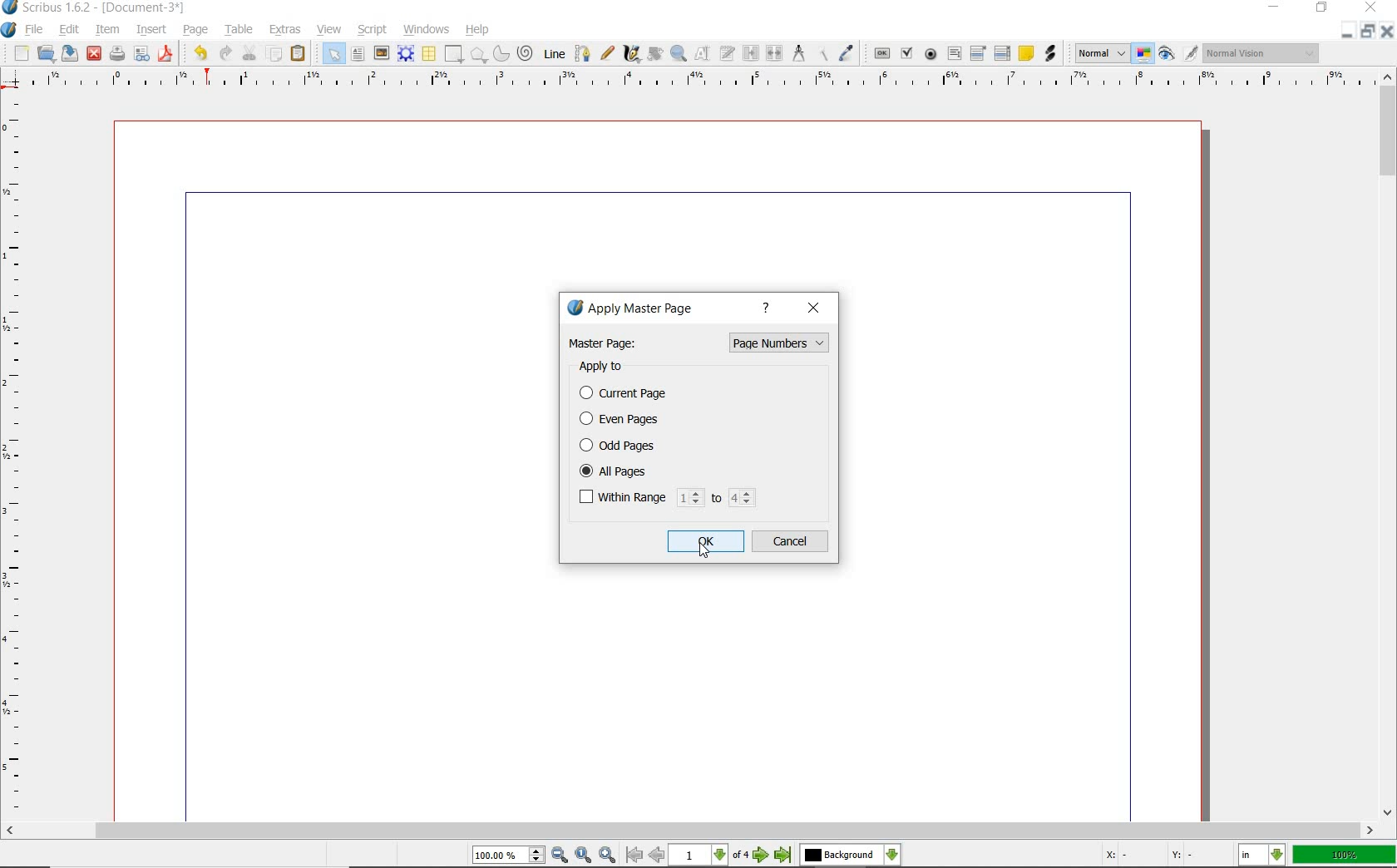 The width and height of the screenshot is (1397, 868). What do you see at coordinates (583, 53) in the screenshot?
I see `Bezier curve` at bounding box center [583, 53].